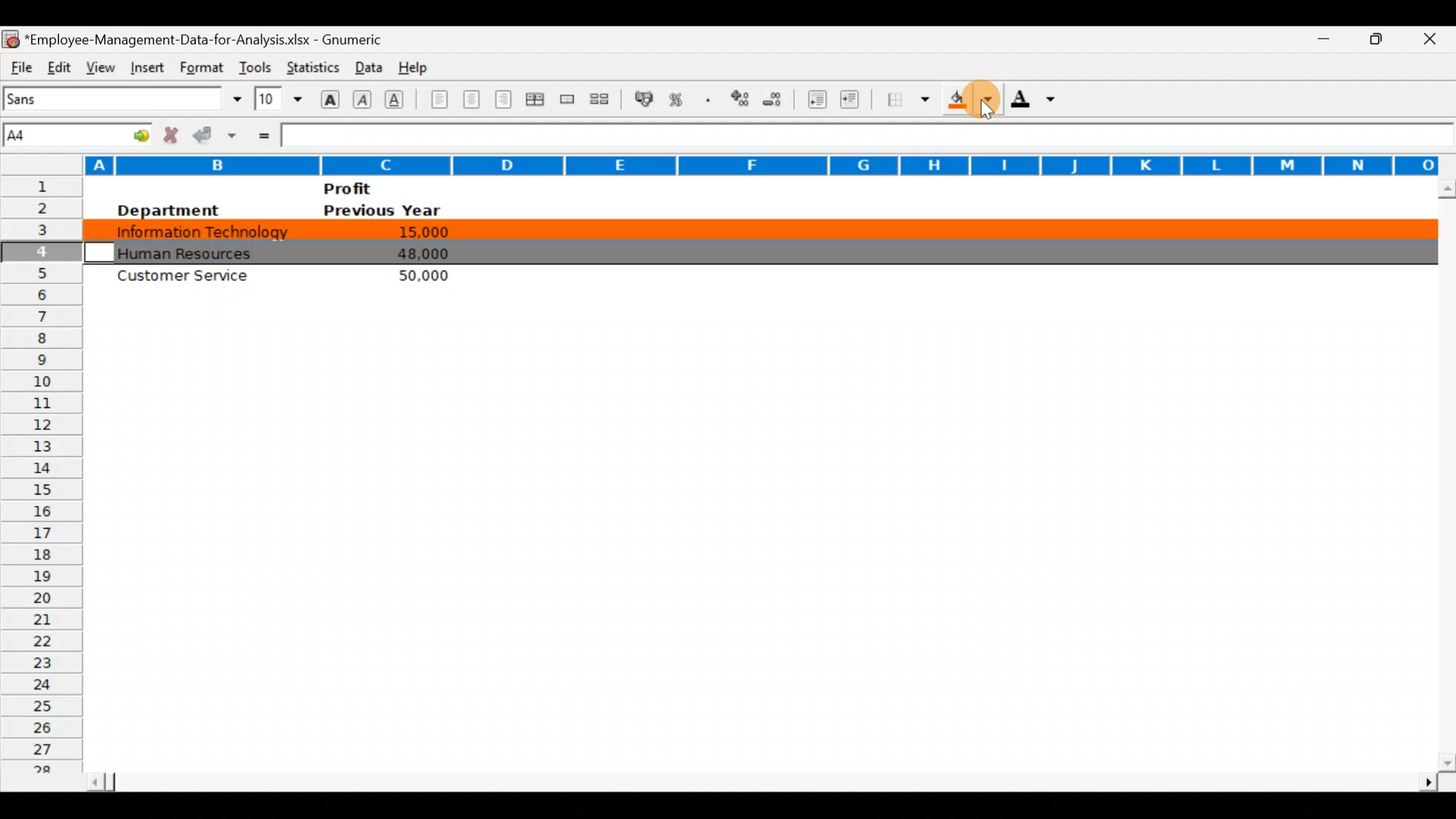 This screenshot has height=819, width=1456. Describe the element at coordinates (779, 99) in the screenshot. I see `Decrease decimals` at that location.